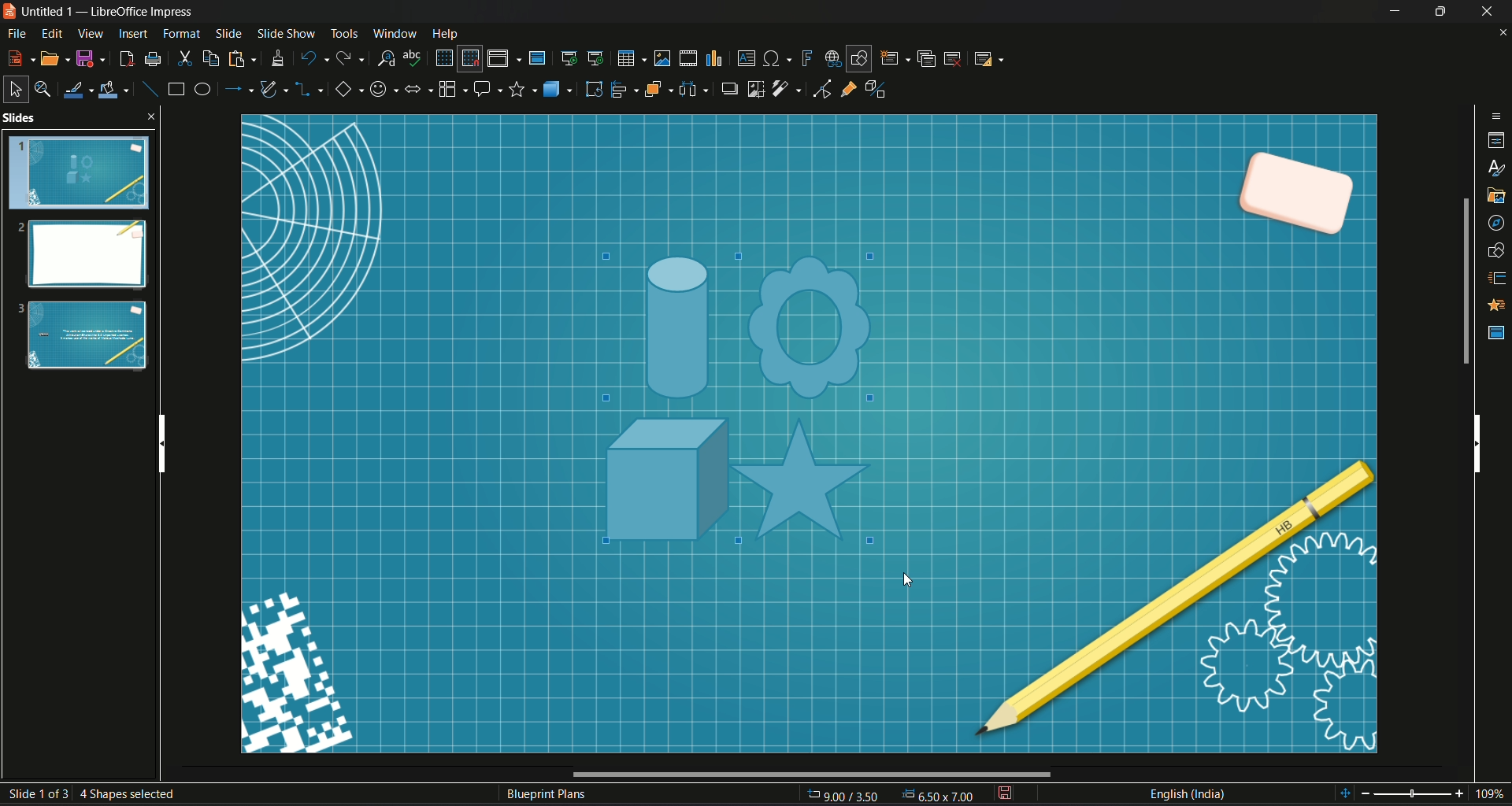 This screenshot has height=806, width=1512. I want to click on 3D objects, so click(559, 88).